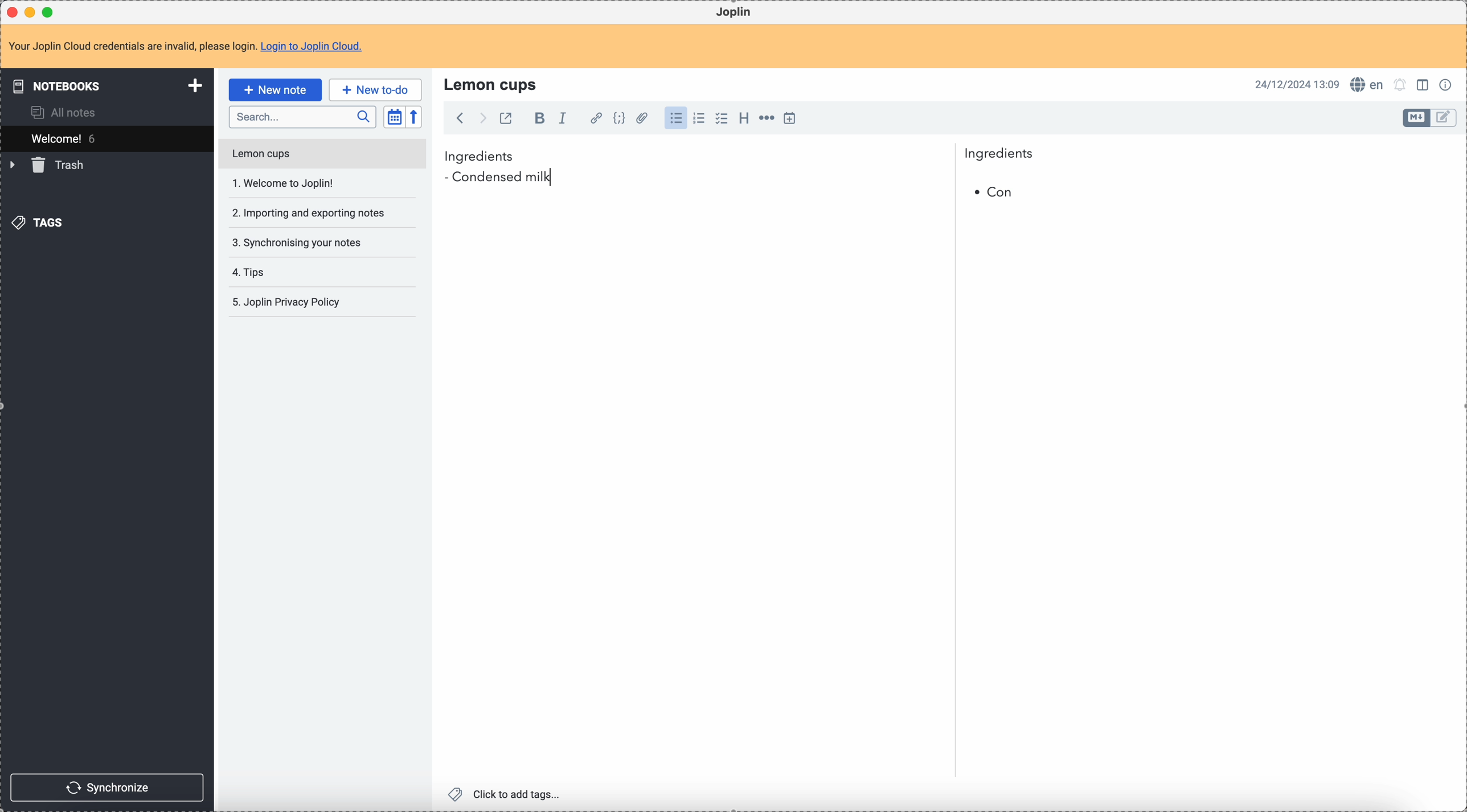  What do you see at coordinates (1448, 84) in the screenshot?
I see `note properties` at bounding box center [1448, 84].